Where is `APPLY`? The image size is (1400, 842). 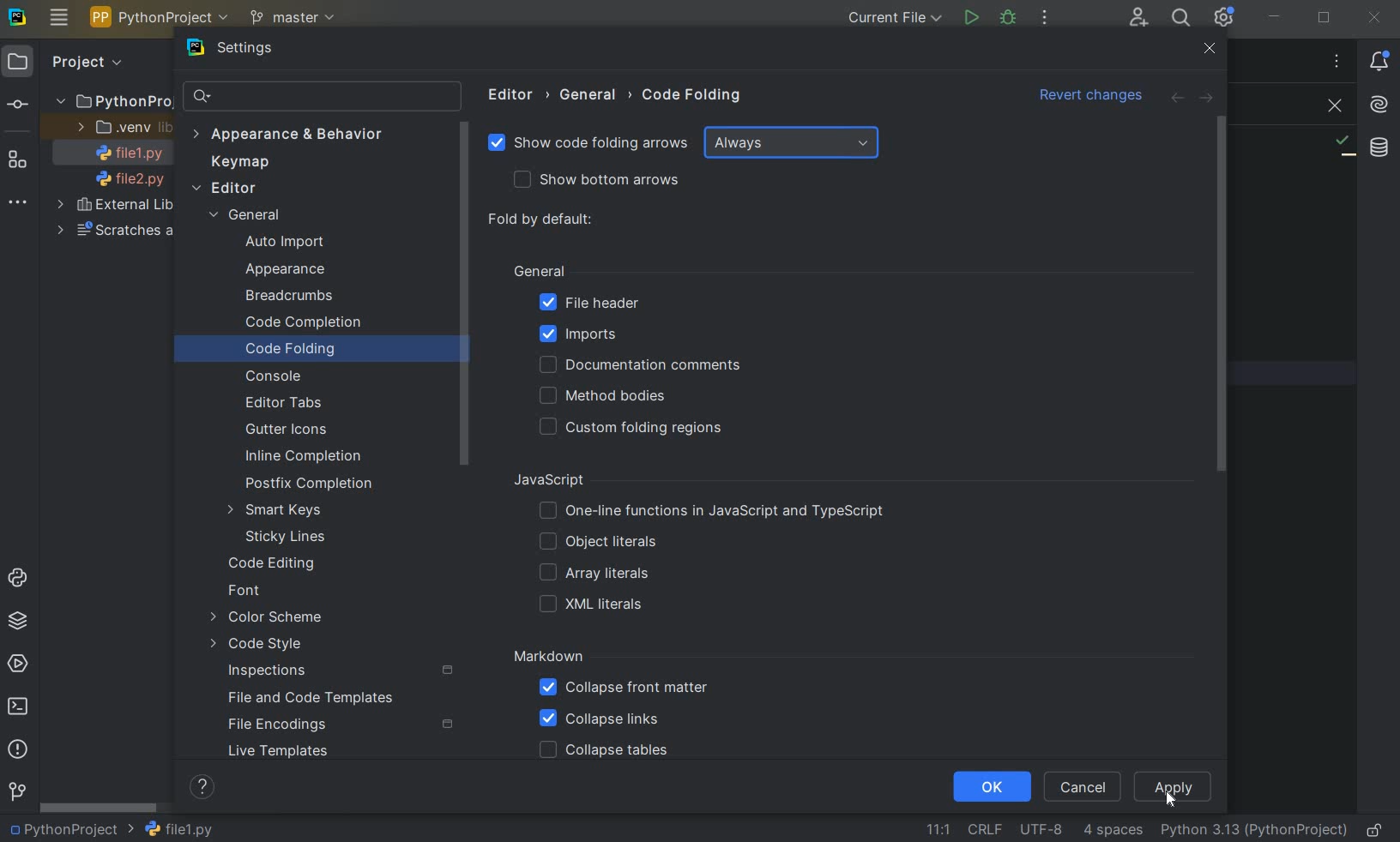
APPLY is located at coordinates (1174, 786).